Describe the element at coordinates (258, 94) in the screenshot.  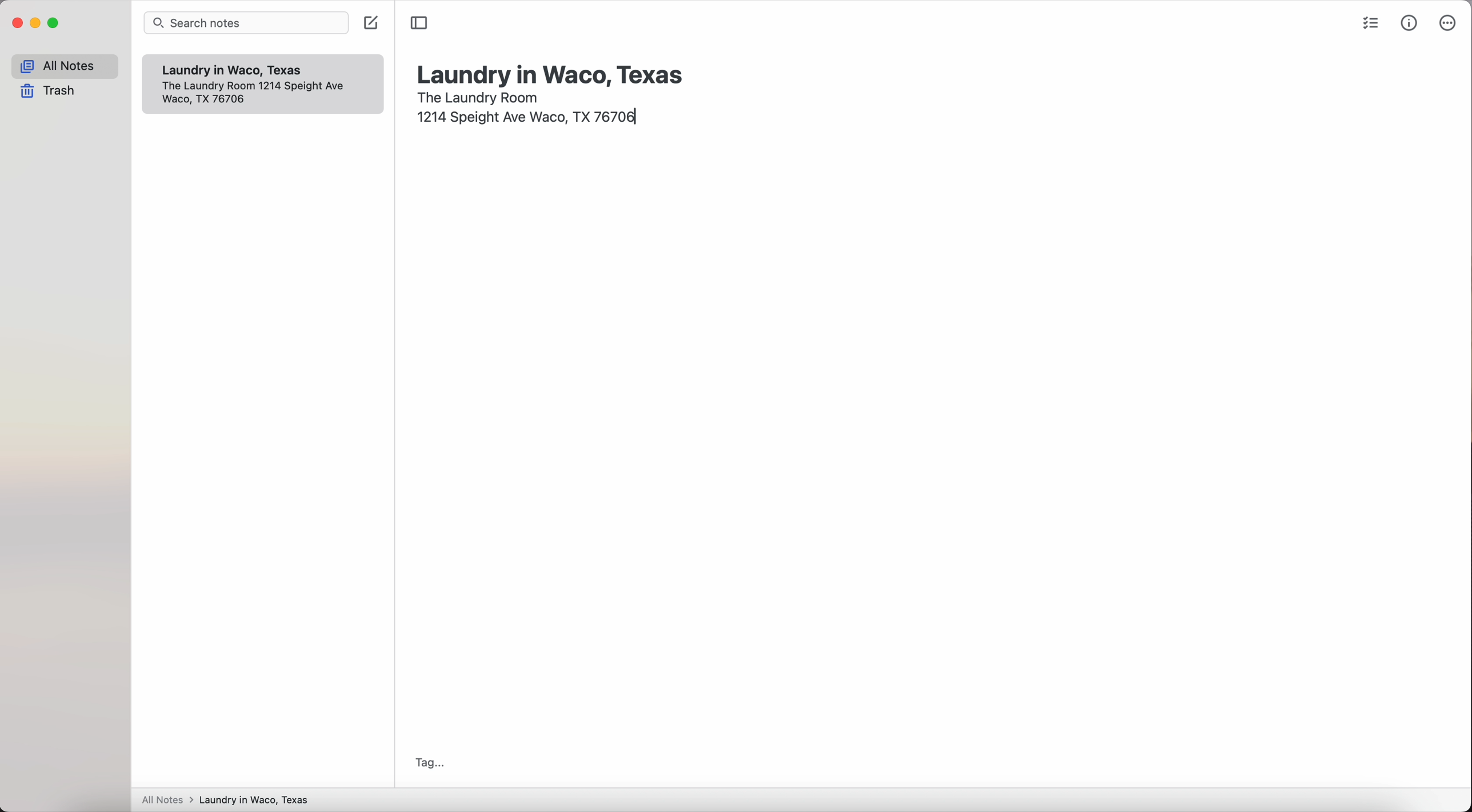
I see `1214 Speight Ave Waco, TX 76706` at that location.